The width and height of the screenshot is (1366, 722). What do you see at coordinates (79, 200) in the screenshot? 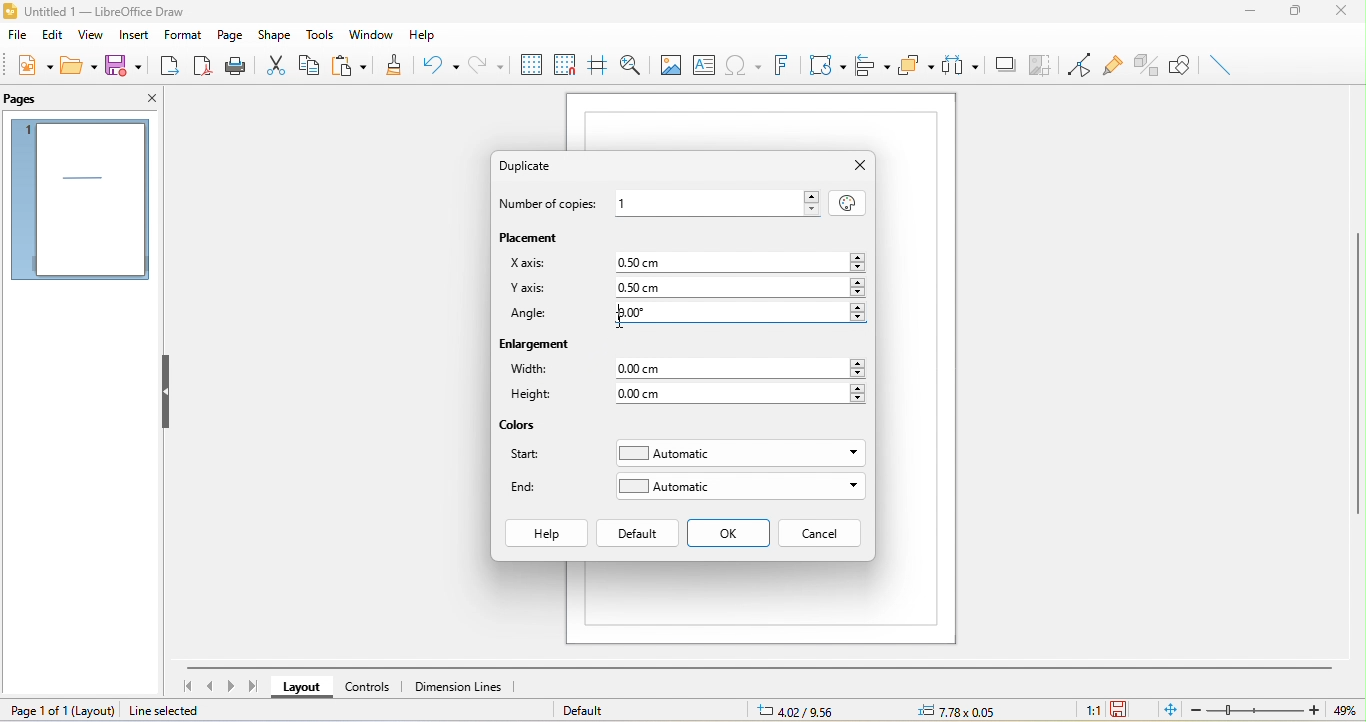
I see `pages` at bounding box center [79, 200].